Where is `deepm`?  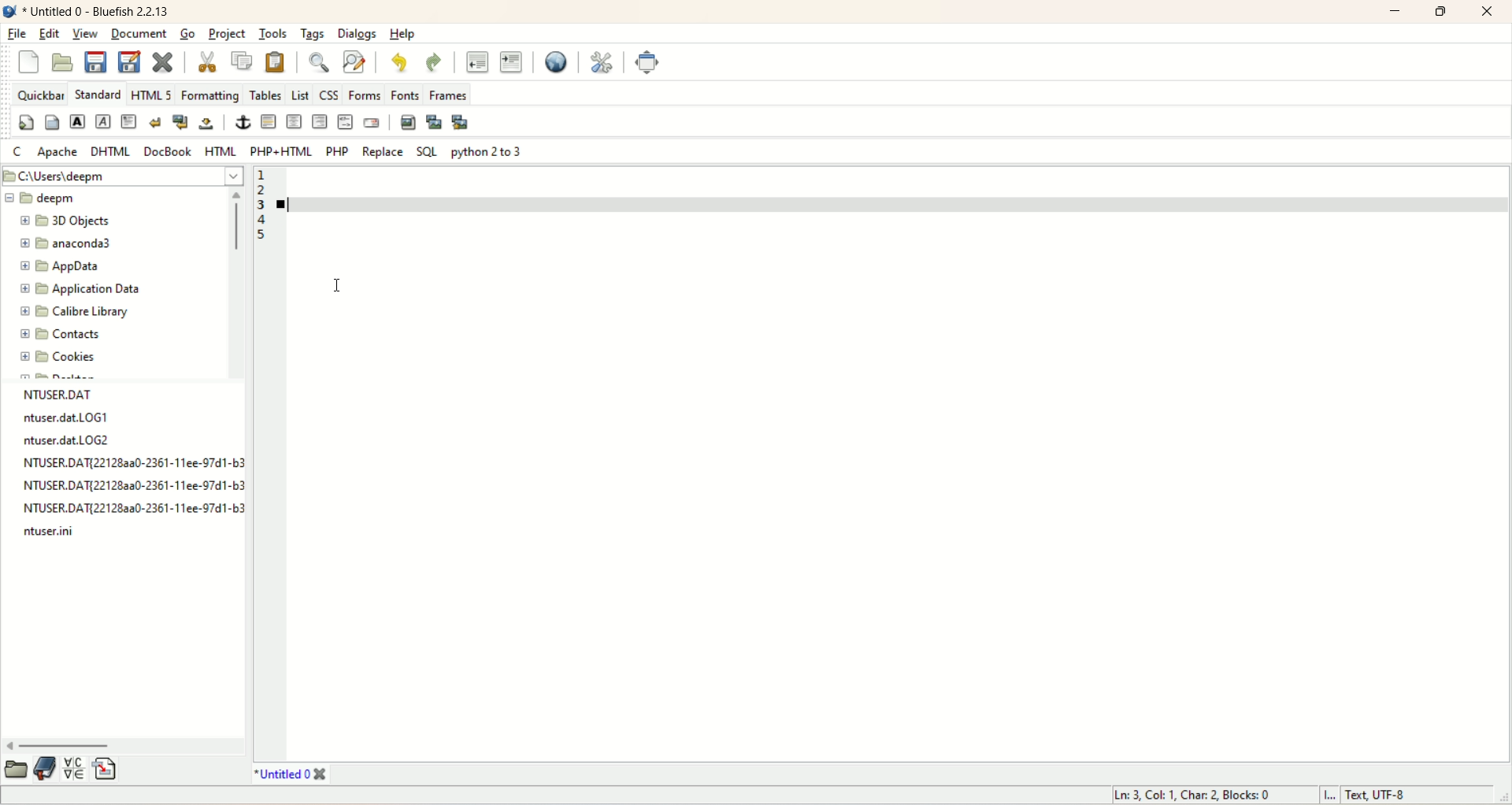 deepm is located at coordinates (44, 198).